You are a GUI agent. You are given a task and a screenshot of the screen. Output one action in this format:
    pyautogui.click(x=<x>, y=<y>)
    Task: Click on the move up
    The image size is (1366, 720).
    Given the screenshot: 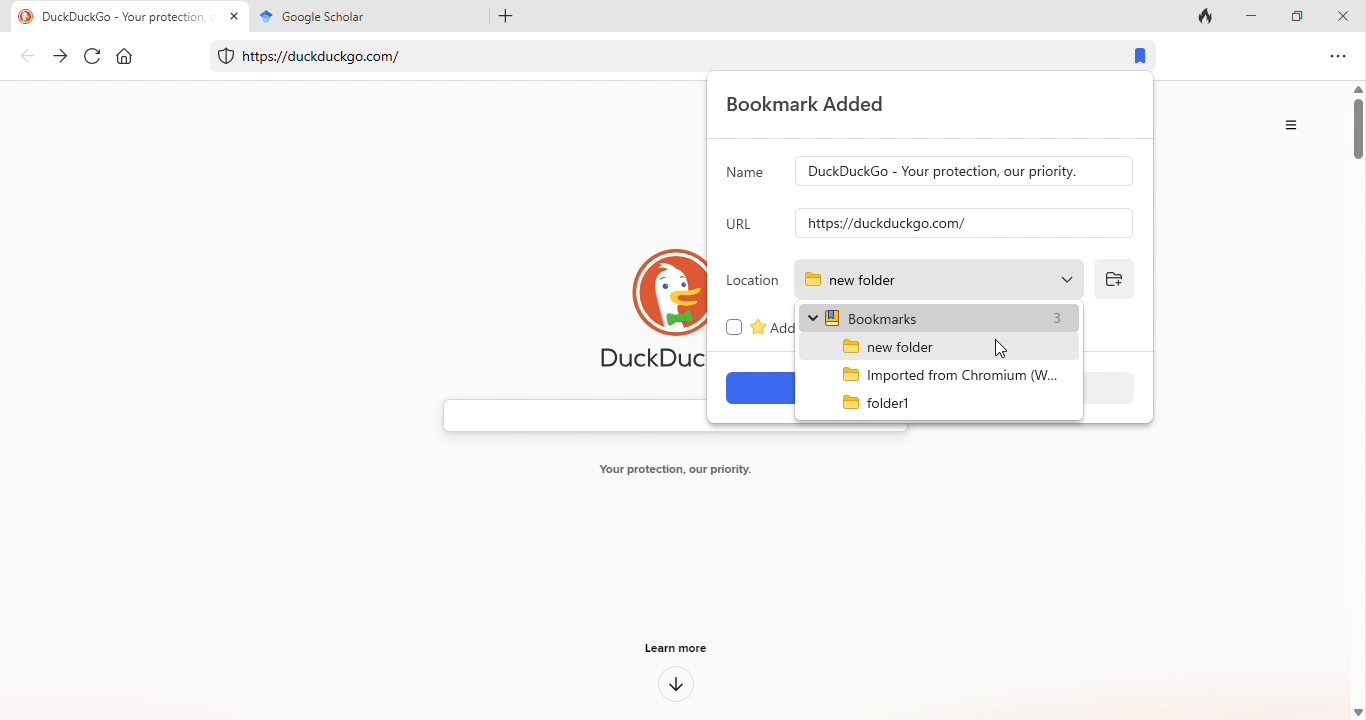 What is the action you would take?
    pyautogui.click(x=1357, y=88)
    